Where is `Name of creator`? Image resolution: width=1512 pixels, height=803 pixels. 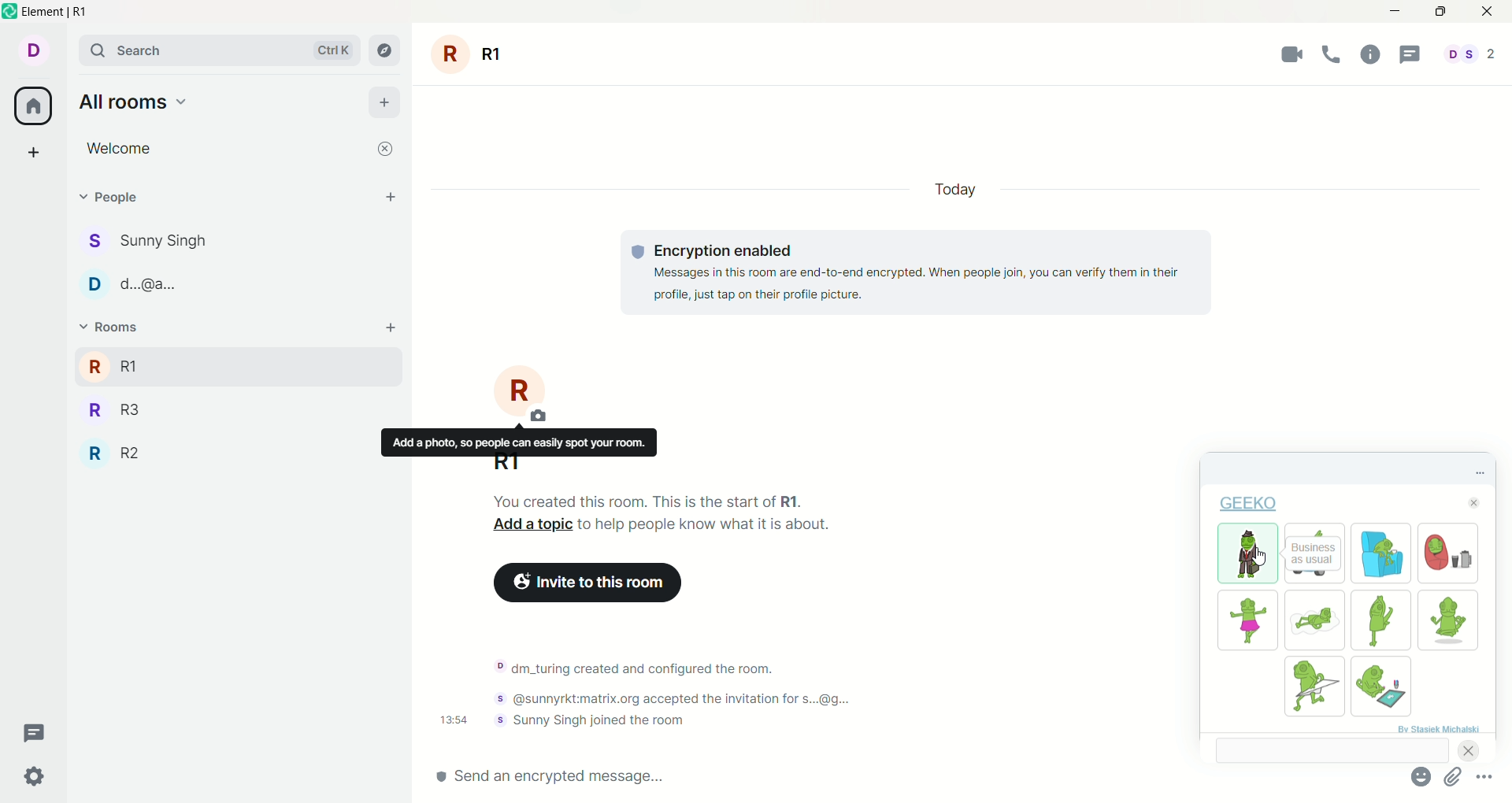
Name of creator is located at coordinates (1438, 728).